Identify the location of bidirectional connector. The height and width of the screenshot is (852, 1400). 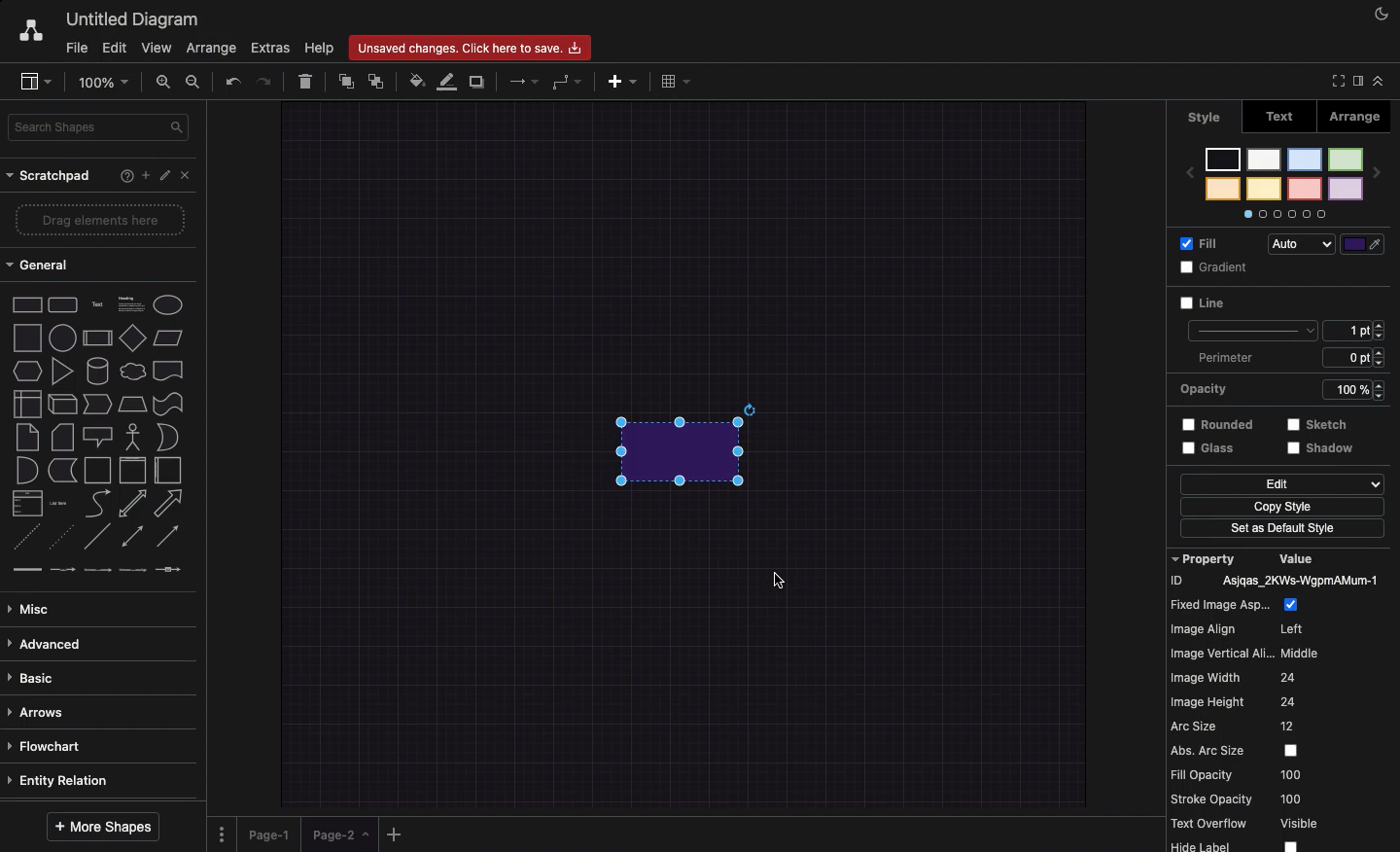
(131, 536).